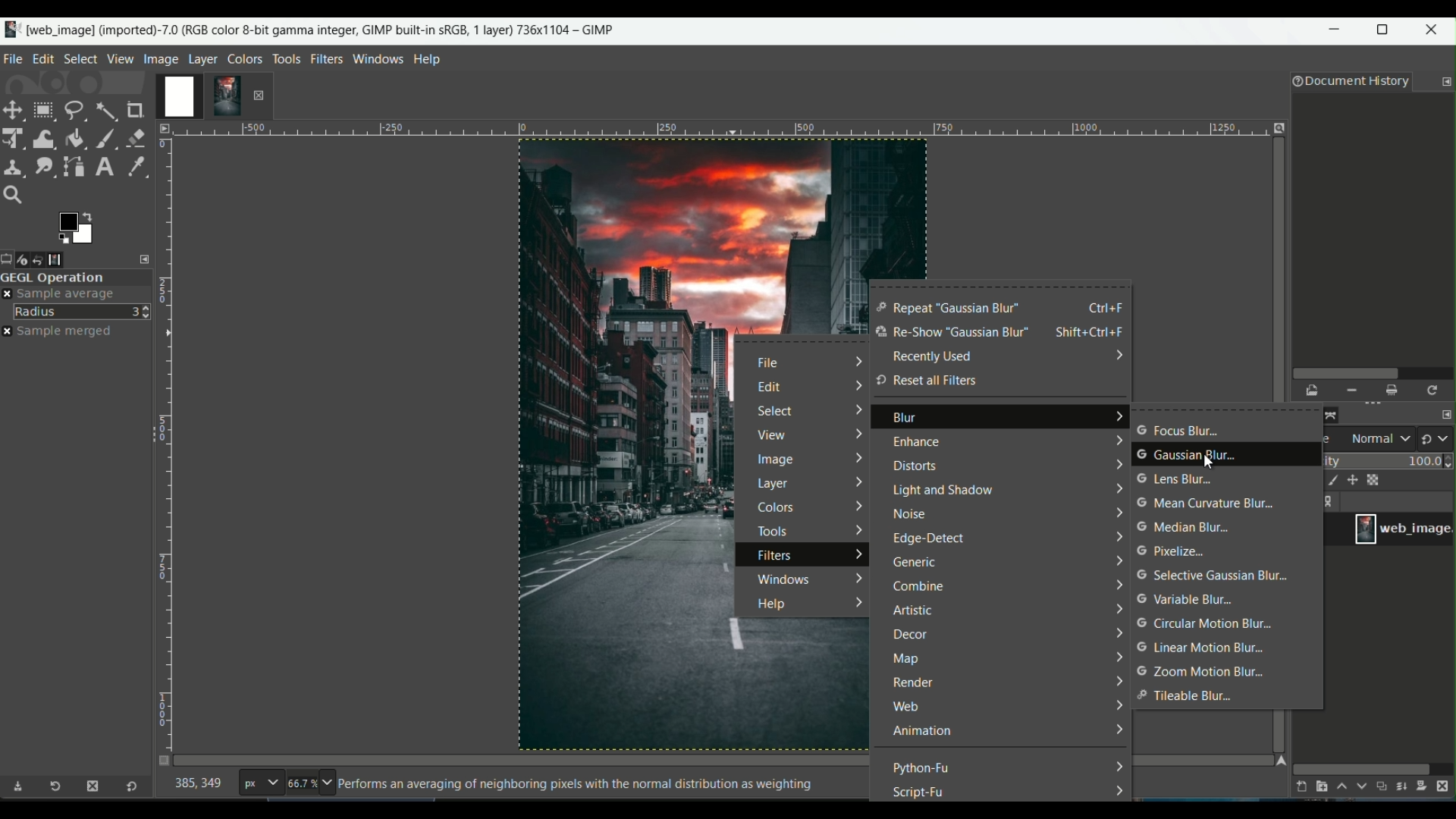 The image size is (1456, 819). Describe the element at coordinates (1320, 786) in the screenshot. I see `create new layer group` at that location.